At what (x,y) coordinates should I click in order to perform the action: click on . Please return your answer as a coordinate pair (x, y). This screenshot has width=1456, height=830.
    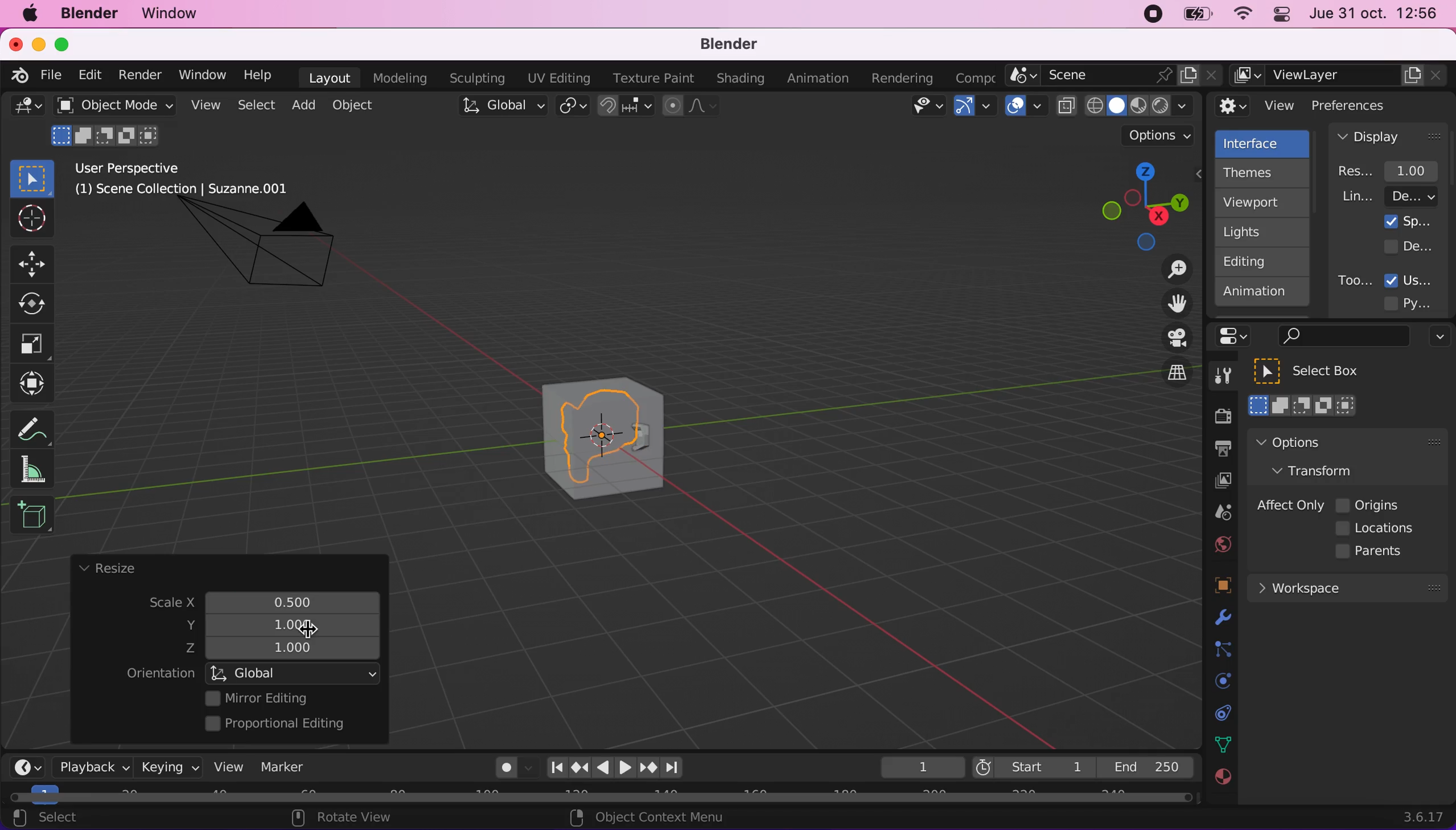
    Looking at the image, I should click on (30, 219).